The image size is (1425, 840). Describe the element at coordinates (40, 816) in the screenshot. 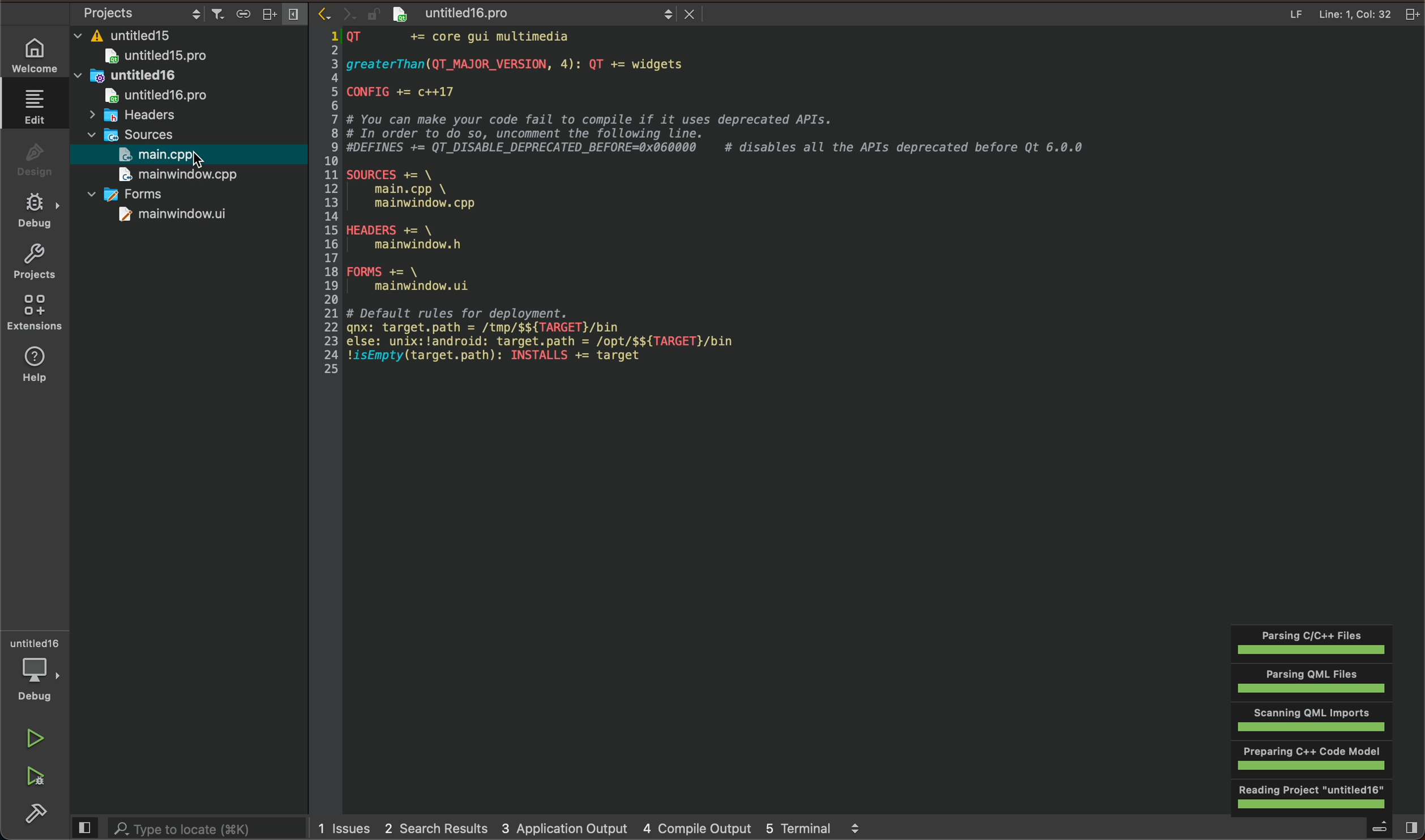

I see `build` at that location.